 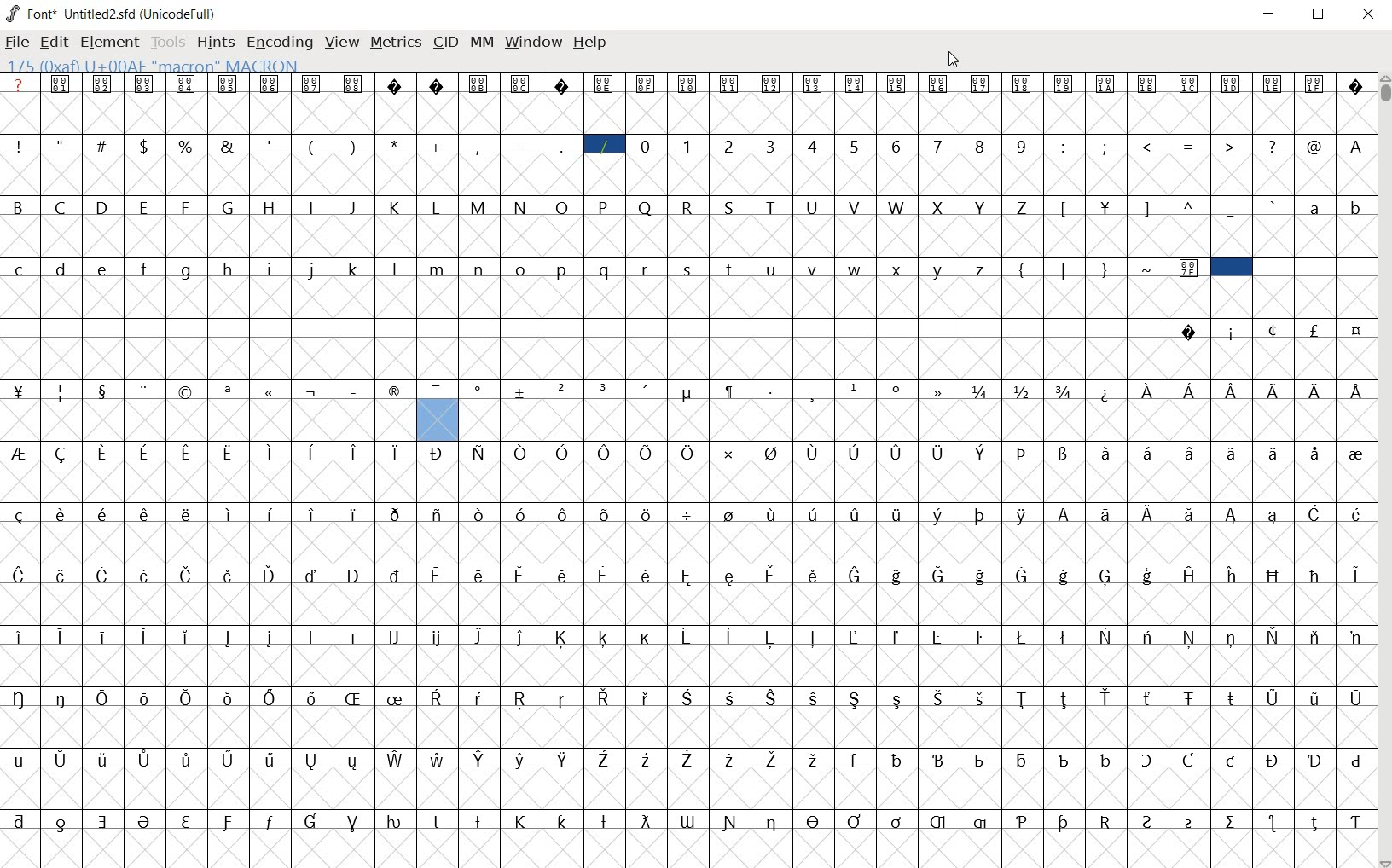 What do you see at coordinates (813, 392) in the screenshot?
I see `Symbol` at bounding box center [813, 392].